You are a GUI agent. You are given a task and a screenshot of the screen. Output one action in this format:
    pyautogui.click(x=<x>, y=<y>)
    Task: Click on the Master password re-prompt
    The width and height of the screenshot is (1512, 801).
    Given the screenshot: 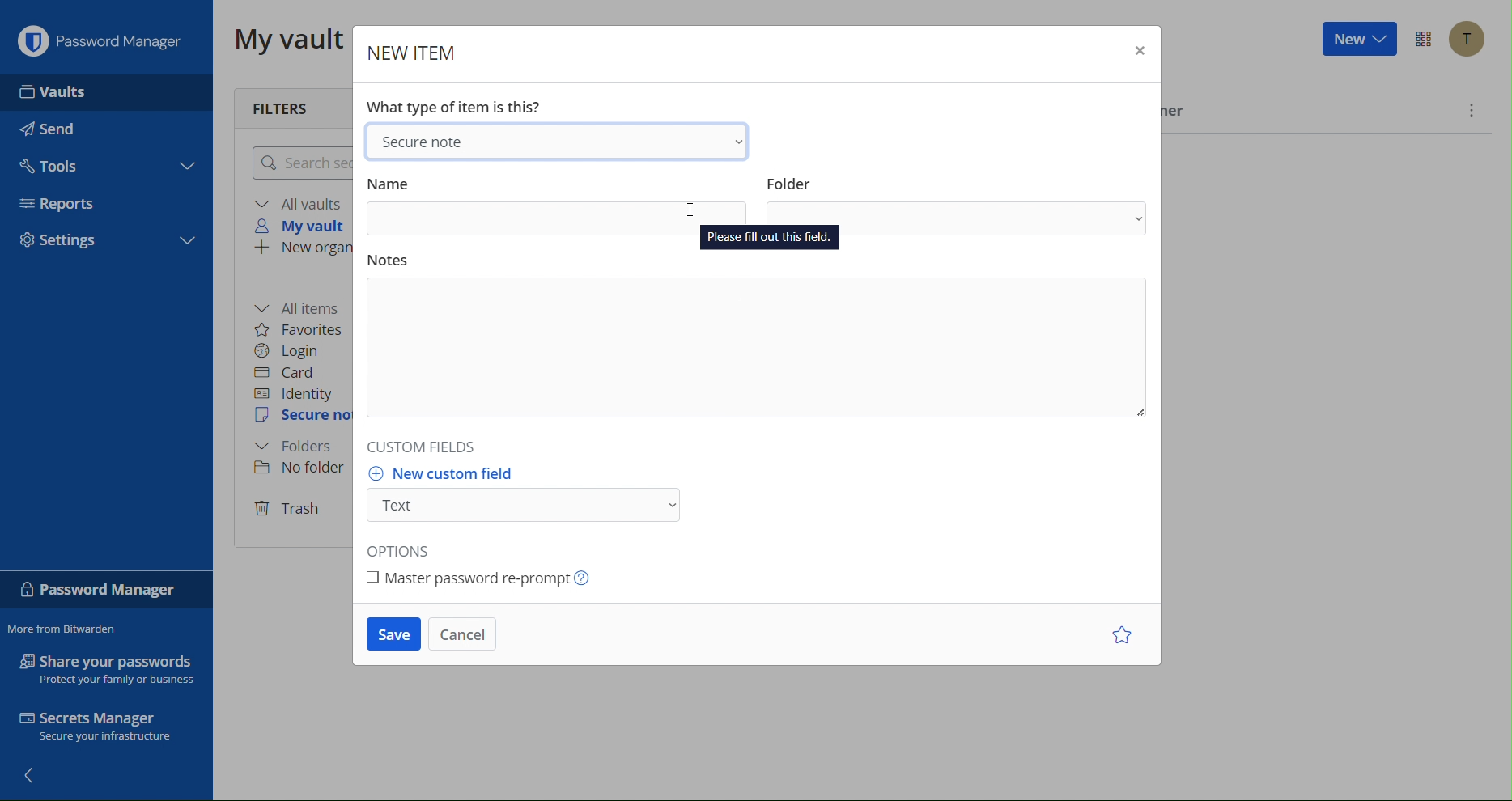 What is the action you would take?
    pyautogui.click(x=483, y=579)
    